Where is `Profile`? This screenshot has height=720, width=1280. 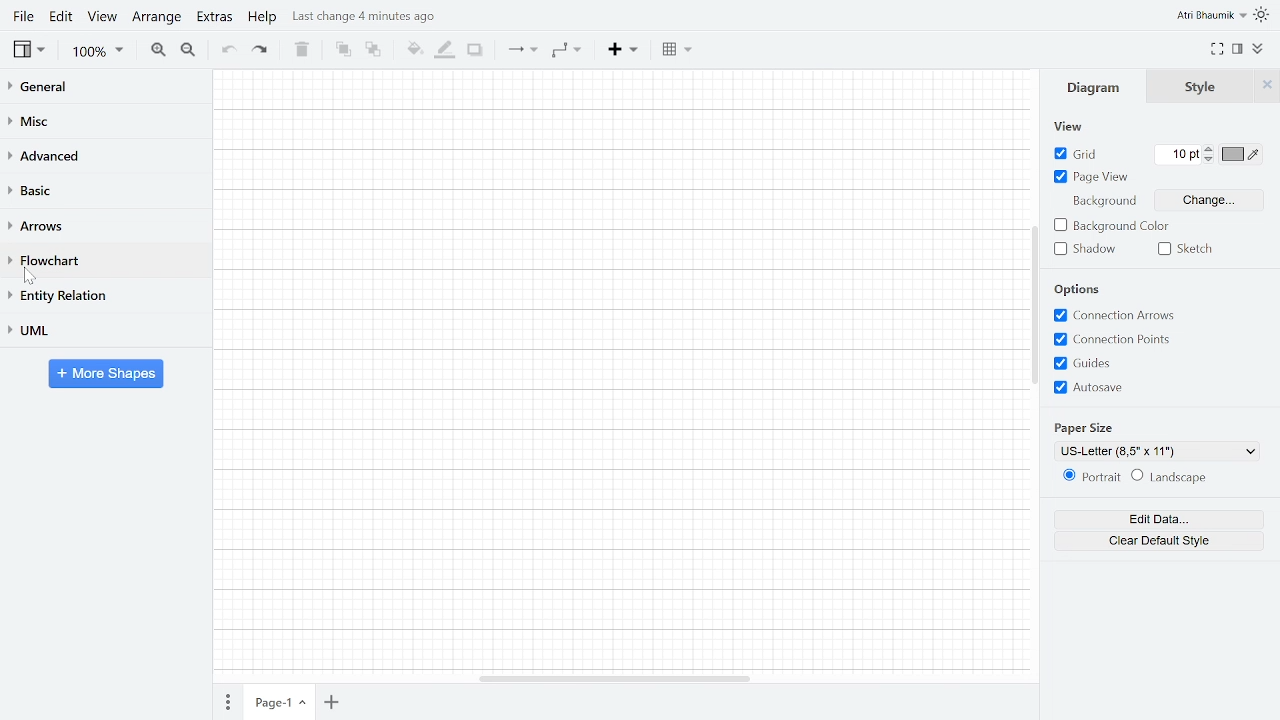
Profile is located at coordinates (1210, 15).